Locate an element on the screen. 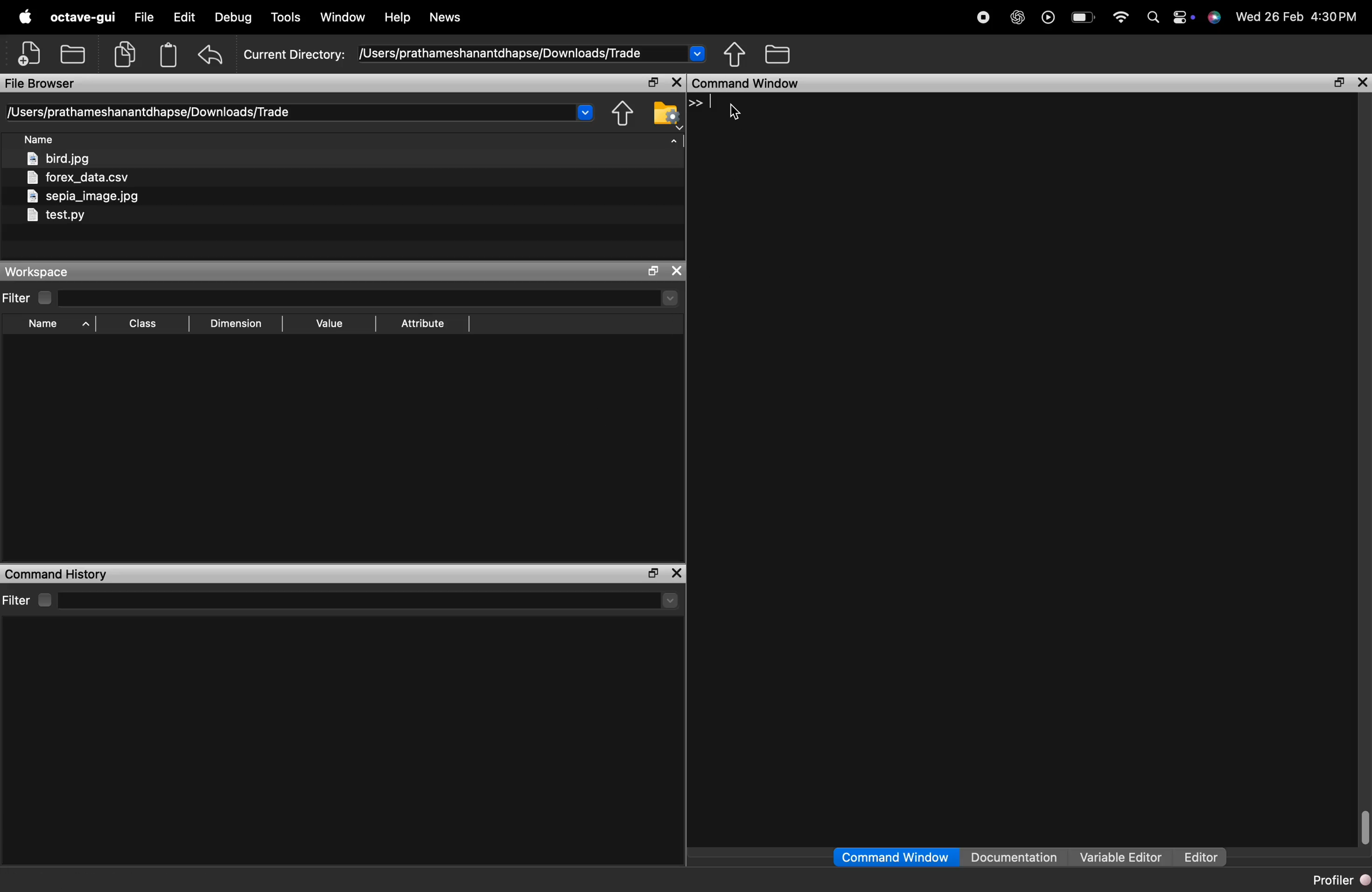  Name is located at coordinates (39, 138).